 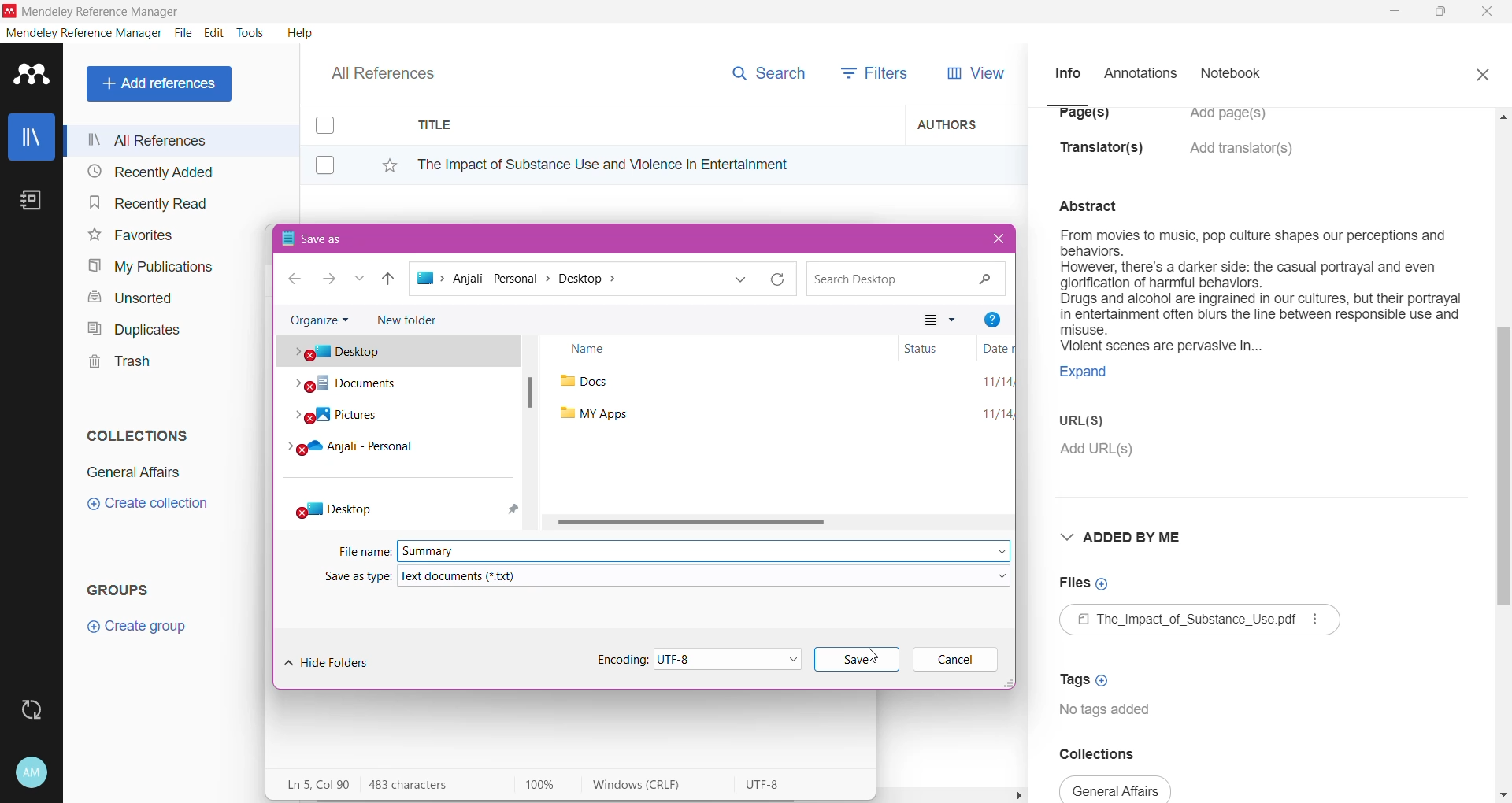 I want to click on Windows (Carriage Return, Line Feed), so click(x=647, y=785).